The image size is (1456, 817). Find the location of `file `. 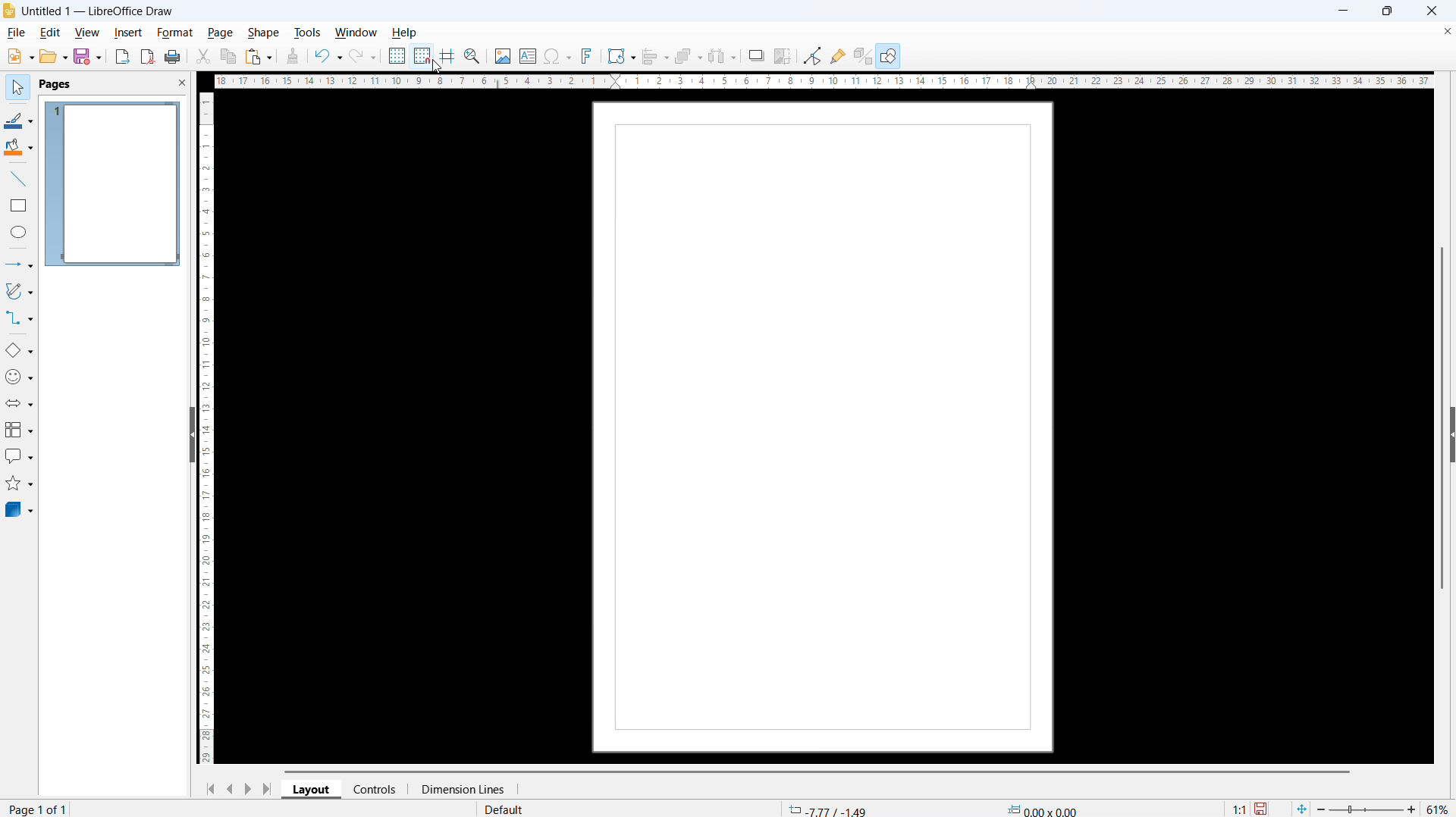

file  is located at coordinates (16, 33).